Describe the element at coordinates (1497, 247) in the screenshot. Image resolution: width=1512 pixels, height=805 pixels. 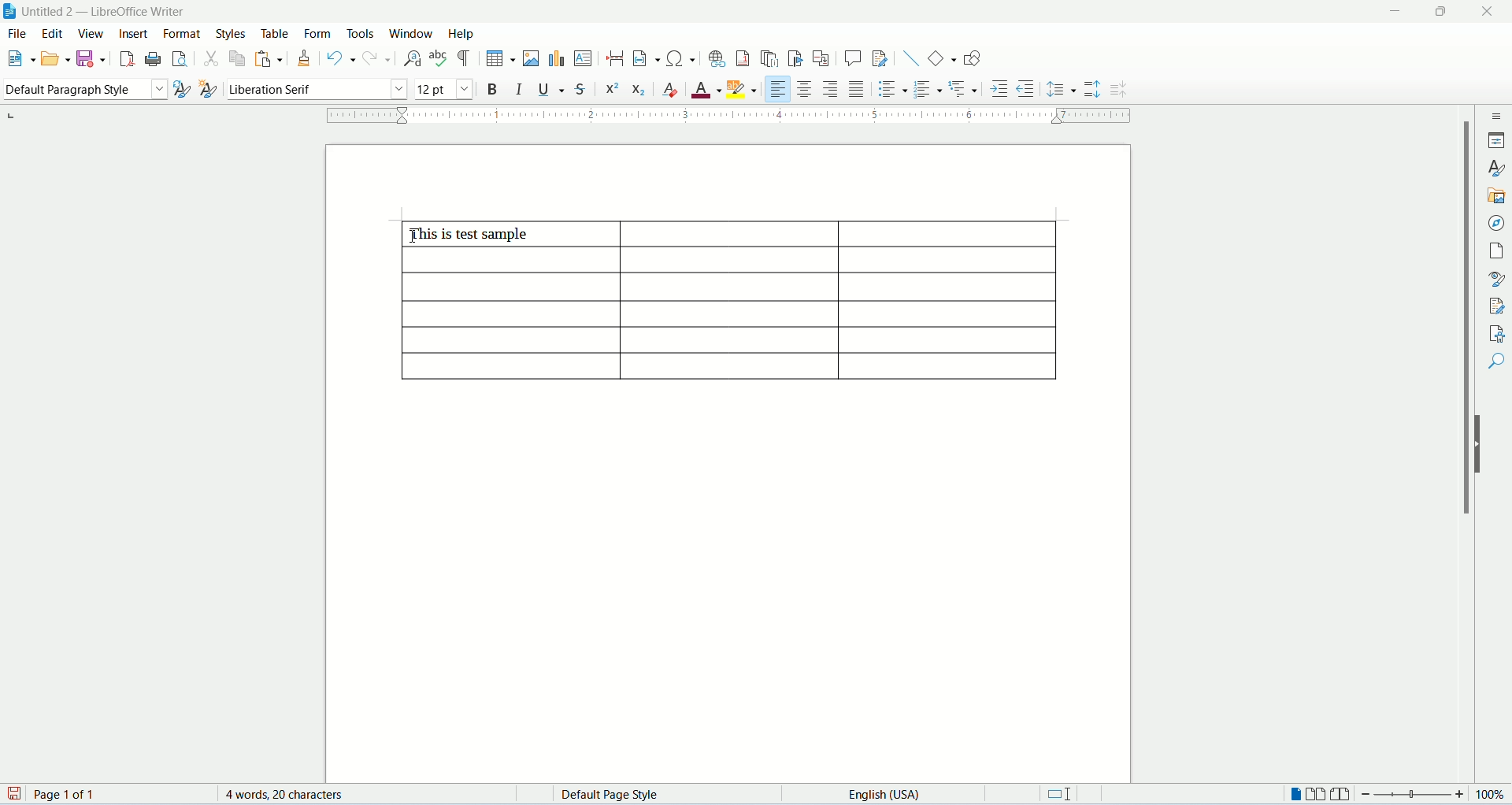
I see `page` at that location.